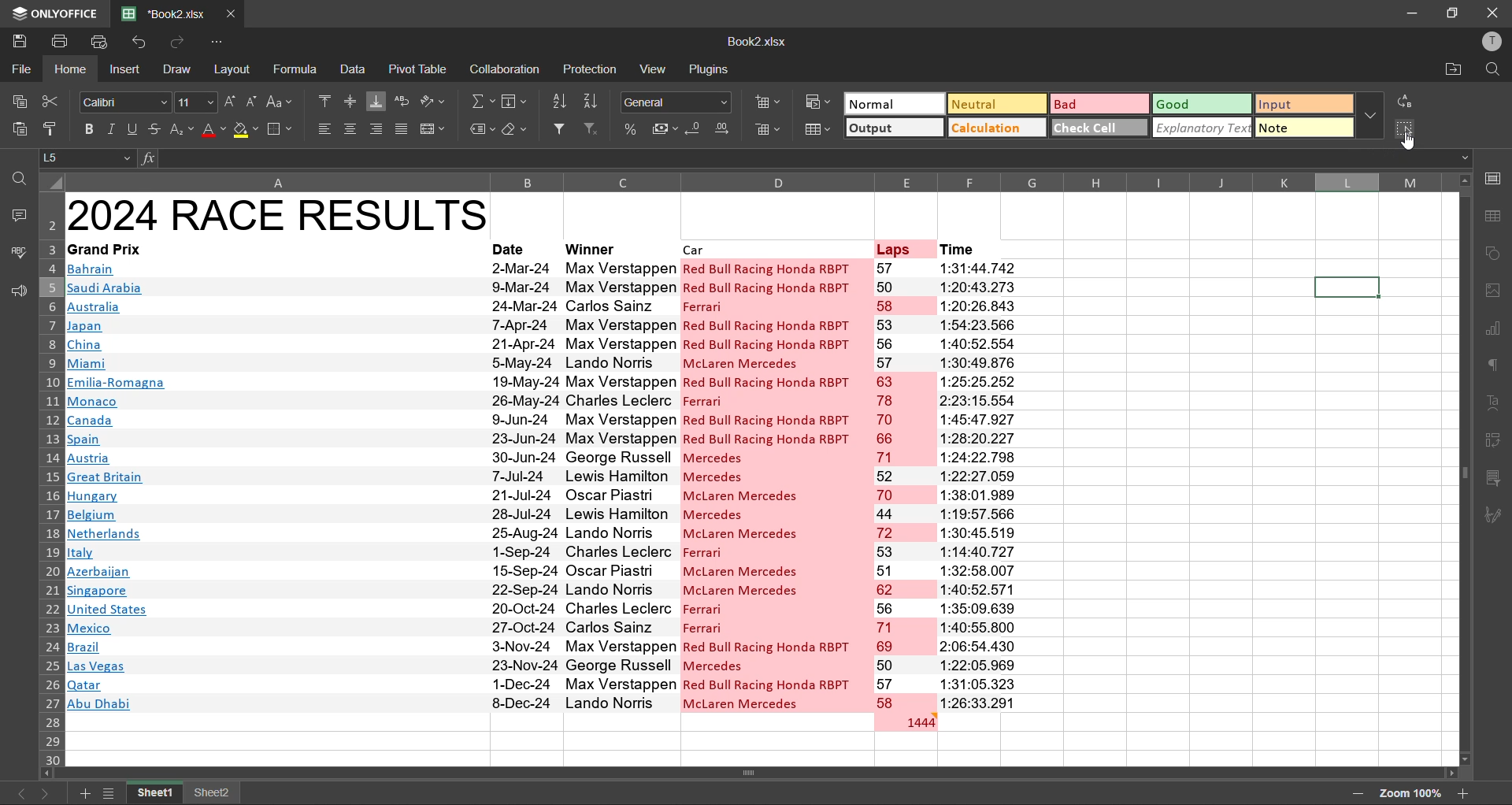  I want to click on images, so click(1492, 293).